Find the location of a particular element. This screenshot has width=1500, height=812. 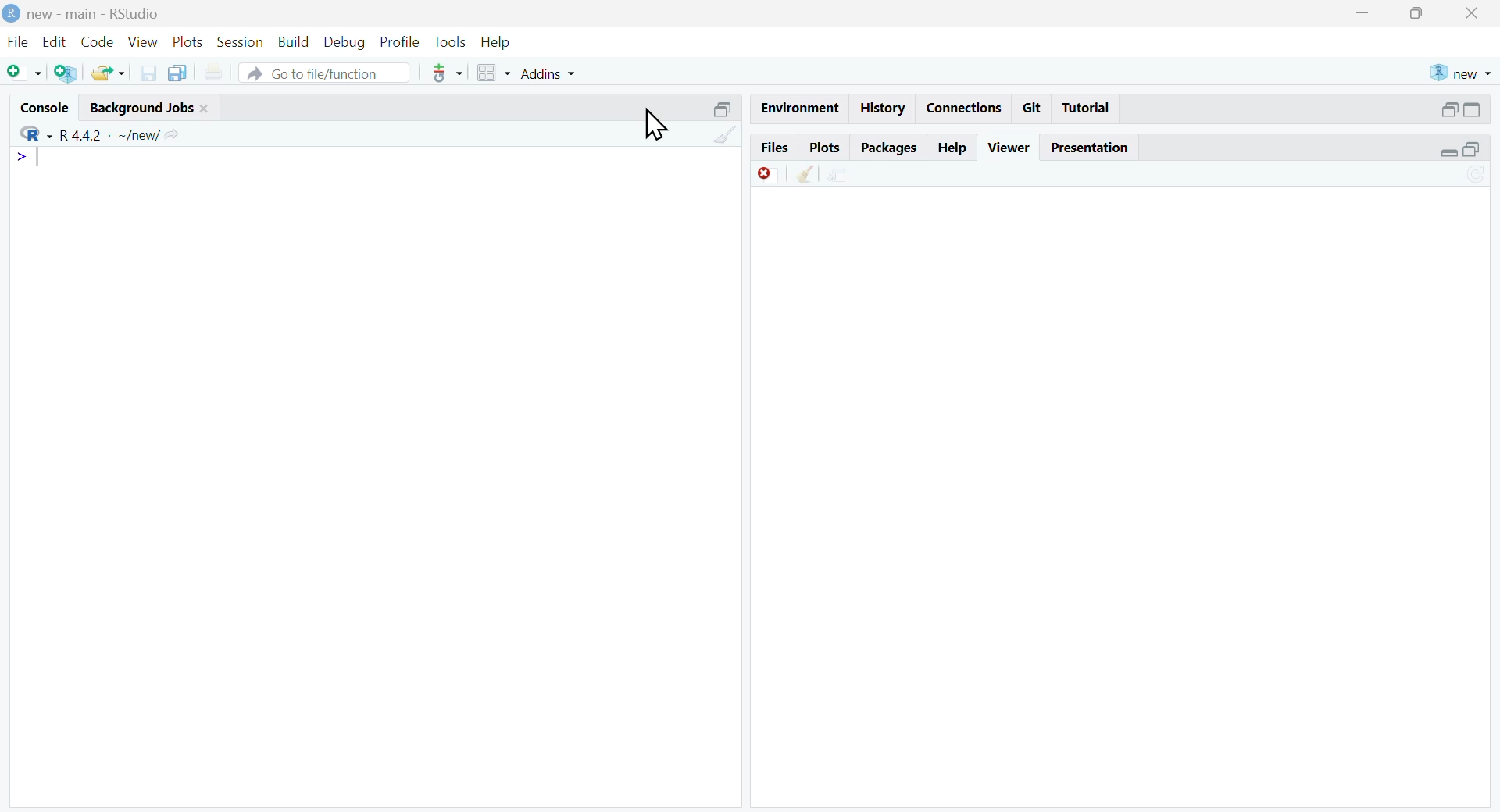

help is located at coordinates (954, 148).